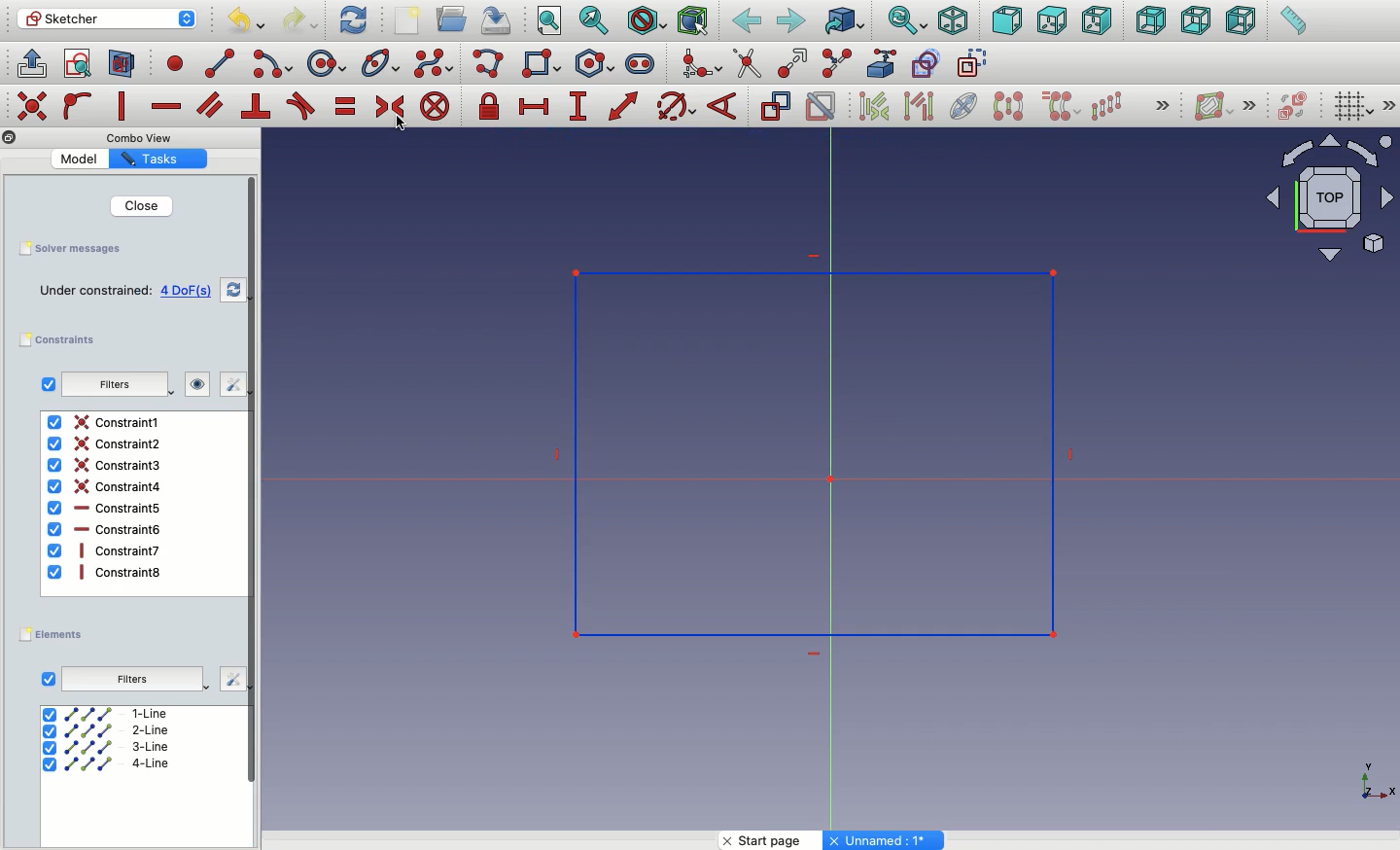 This screenshot has width=1400, height=850. Describe the element at coordinates (30, 62) in the screenshot. I see `leave sketch` at that location.